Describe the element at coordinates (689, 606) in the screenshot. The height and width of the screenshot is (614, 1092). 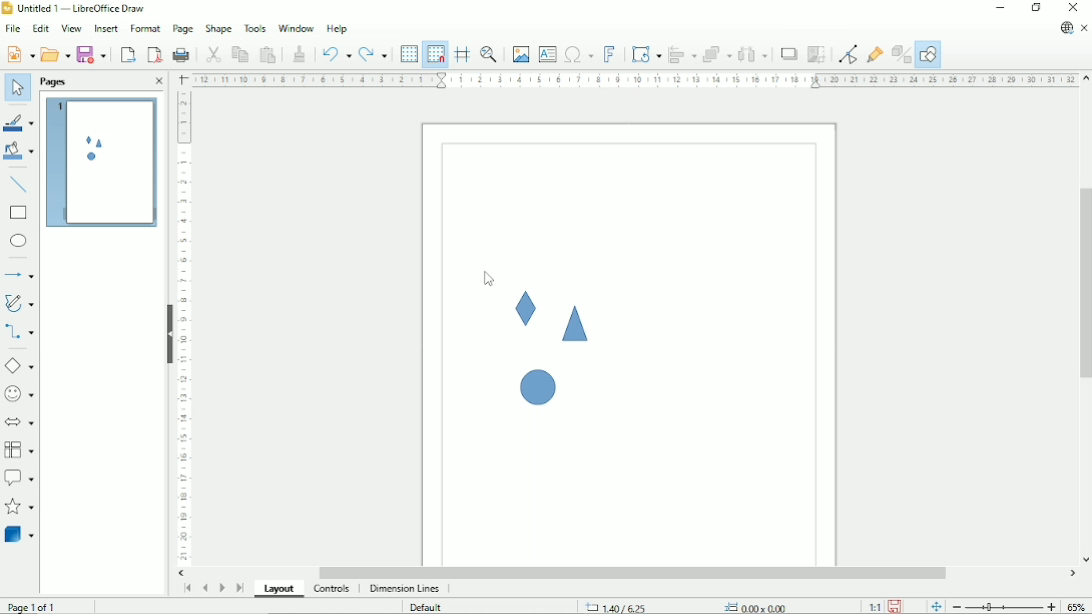
I see `Cursor position` at that location.